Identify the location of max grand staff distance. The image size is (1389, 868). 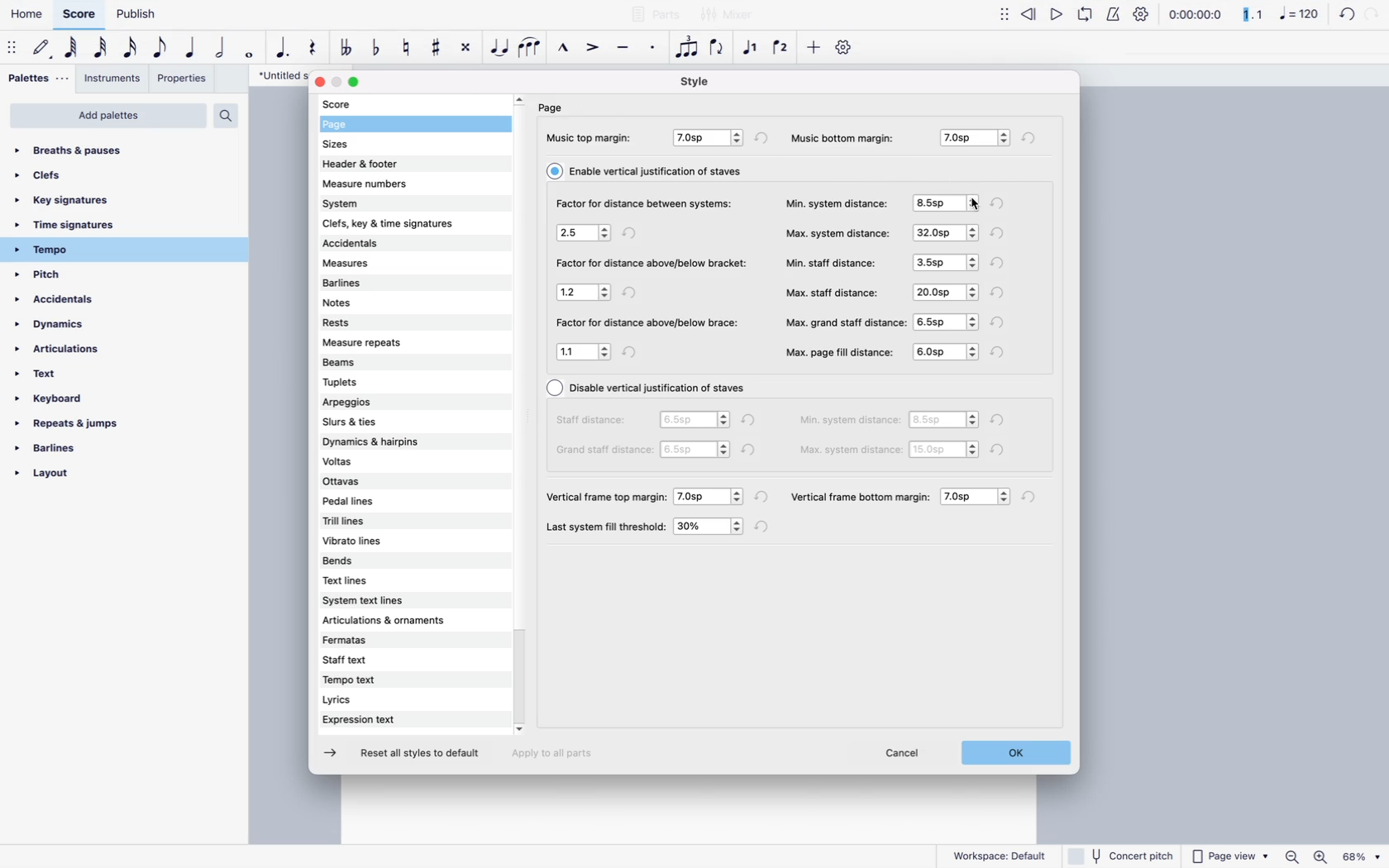
(846, 321).